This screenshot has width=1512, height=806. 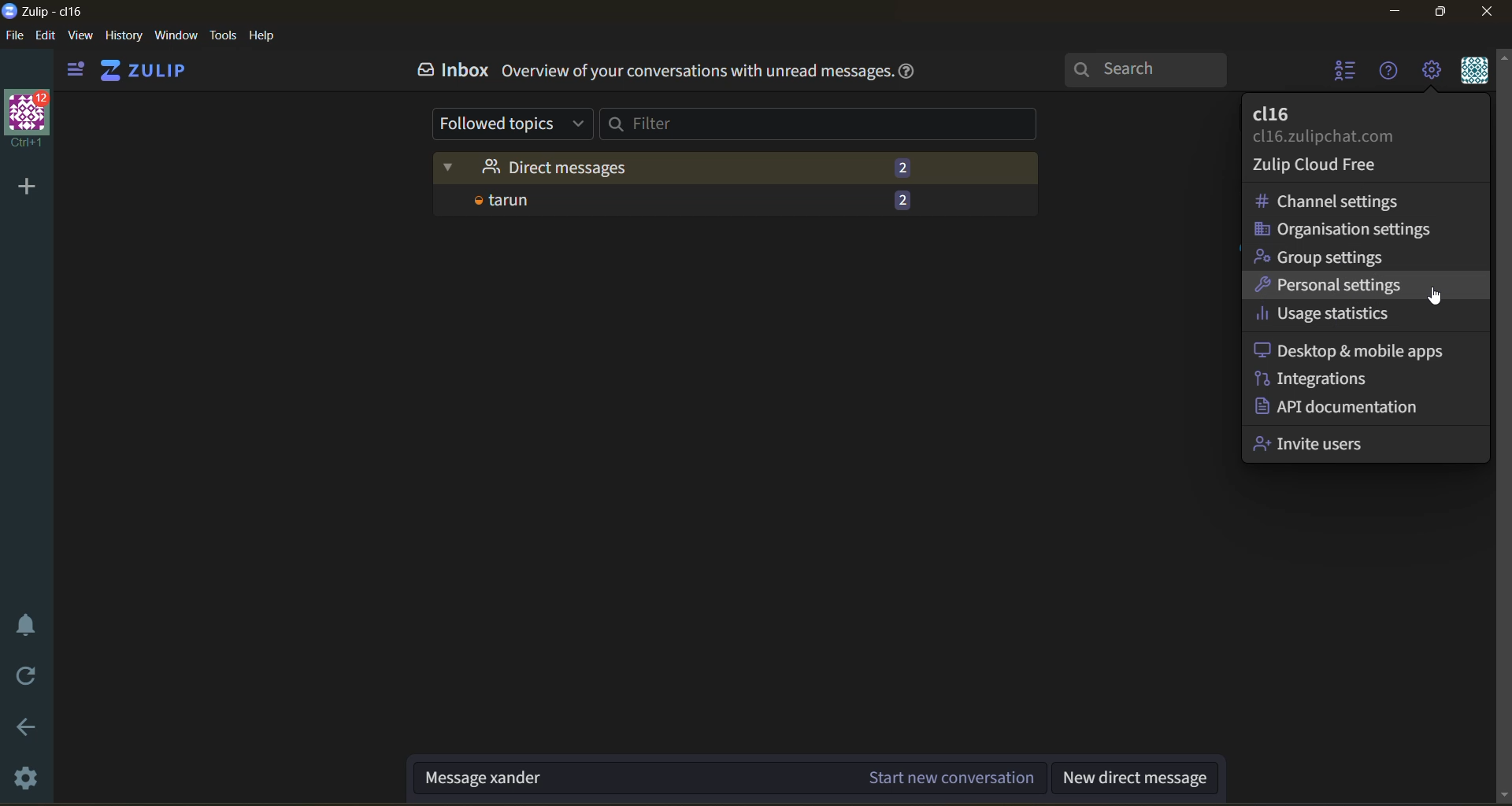 What do you see at coordinates (741, 167) in the screenshot?
I see `direct messages (2)` at bounding box center [741, 167].